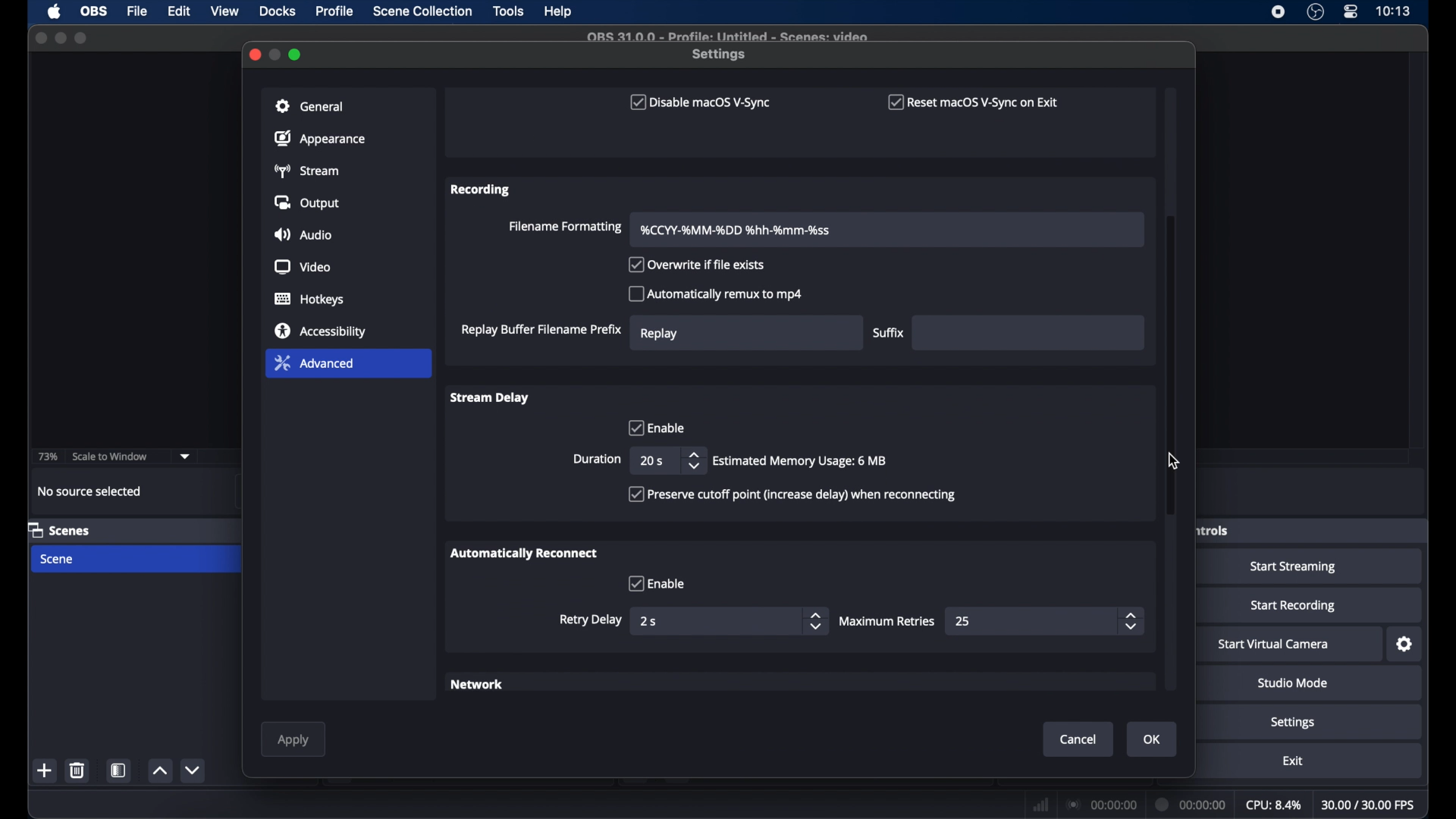  What do you see at coordinates (1294, 567) in the screenshot?
I see `start streaming` at bounding box center [1294, 567].